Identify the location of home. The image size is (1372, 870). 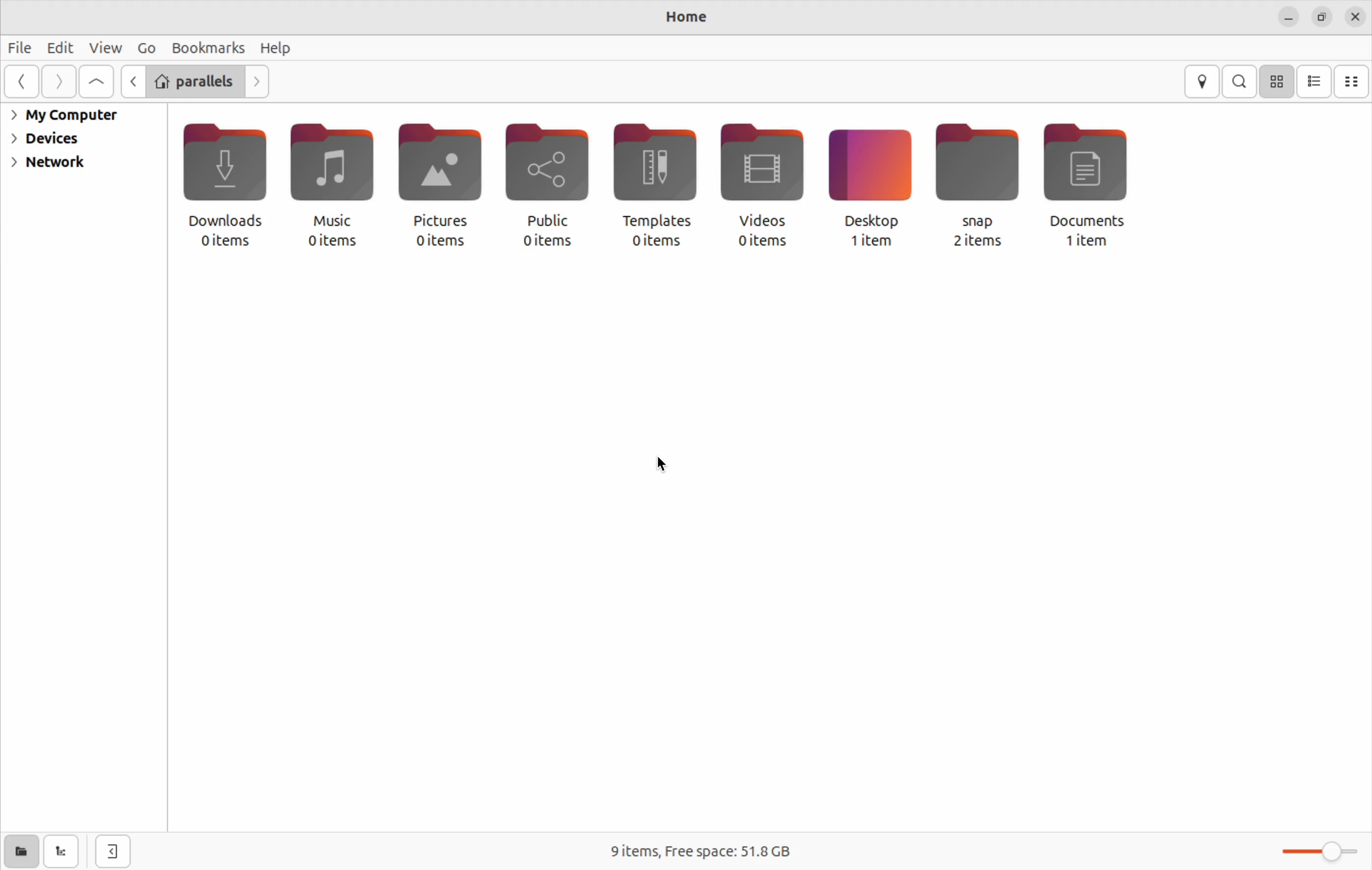
(681, 18).